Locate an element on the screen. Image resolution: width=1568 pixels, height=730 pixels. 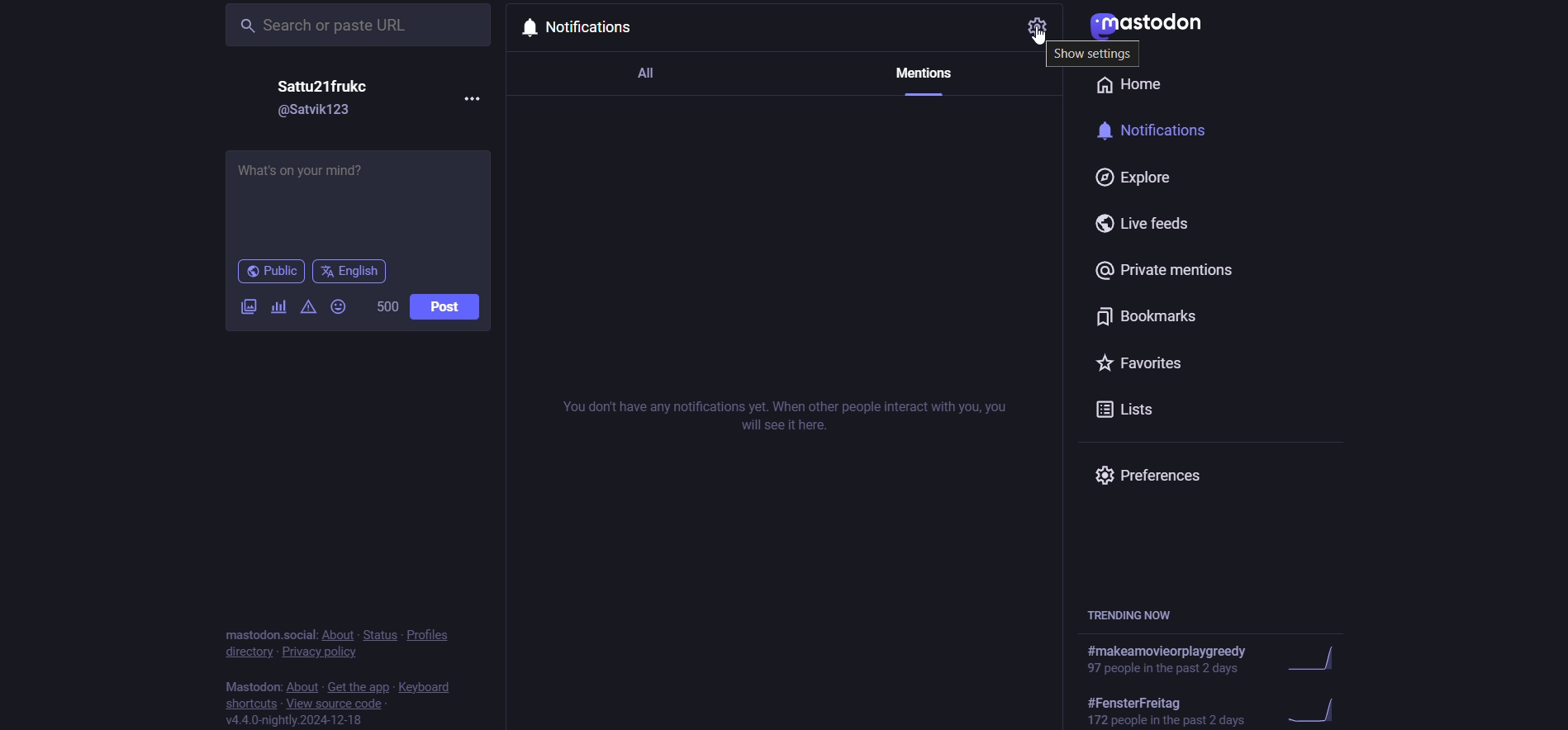
Favorites is located at coordinates (1157, 360).